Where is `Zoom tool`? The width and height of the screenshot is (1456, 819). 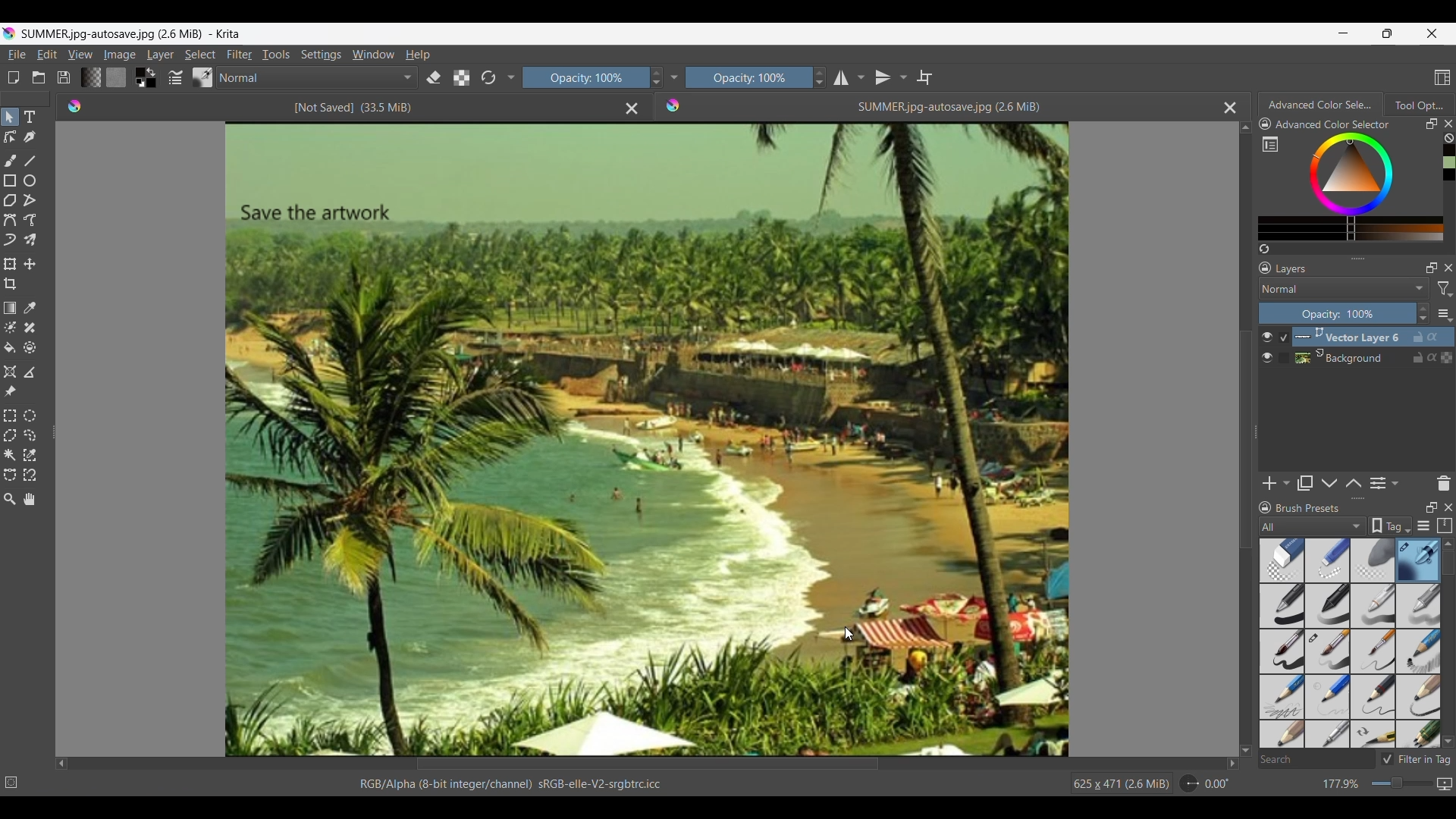
Zoom tool is located at coordinates (9, 499).